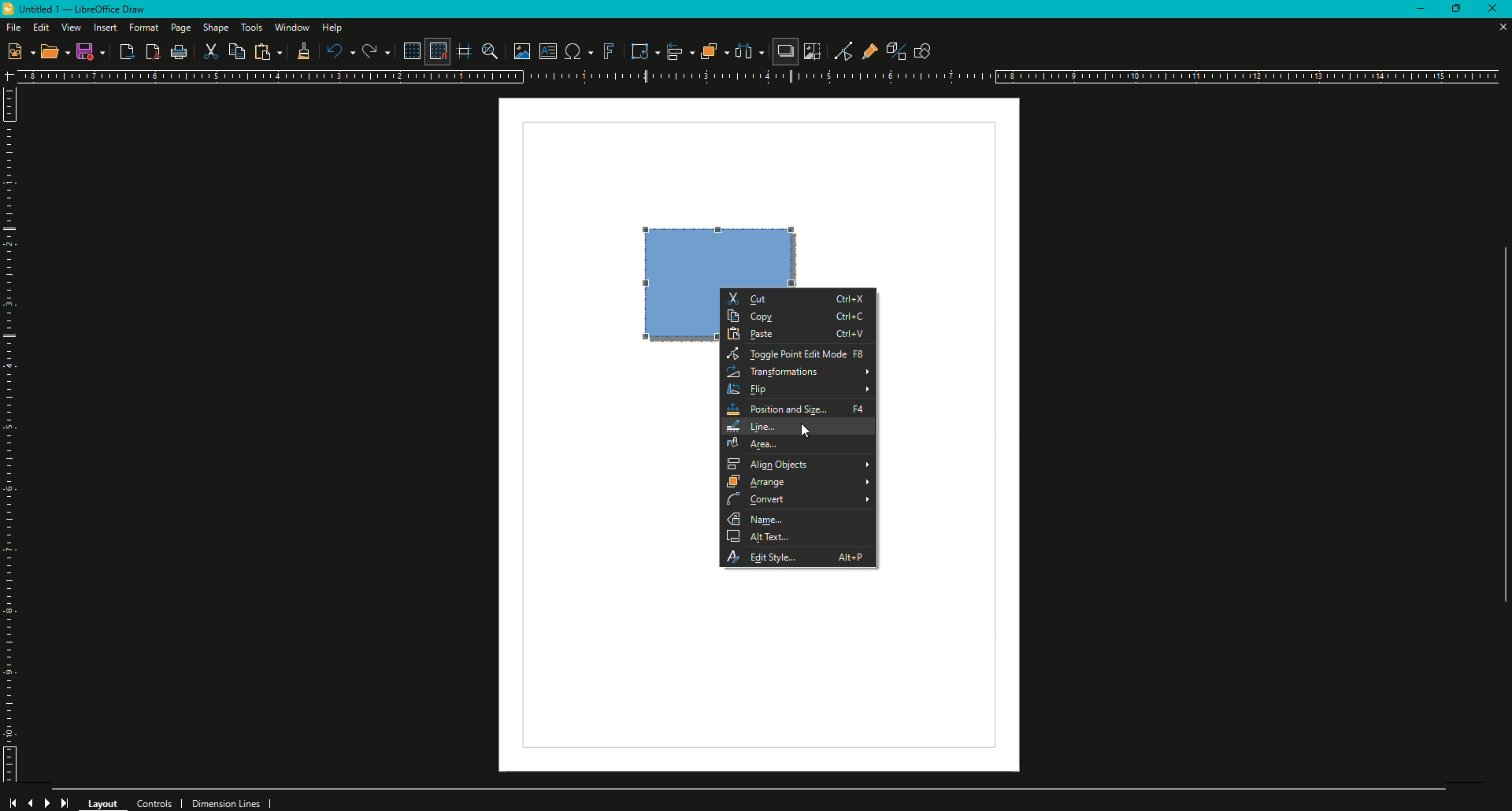 The height and width of the screenshot is (811, 1512). Describe the element at coordinates (800, 317) in the screenshot. I see `Copy` at that location.